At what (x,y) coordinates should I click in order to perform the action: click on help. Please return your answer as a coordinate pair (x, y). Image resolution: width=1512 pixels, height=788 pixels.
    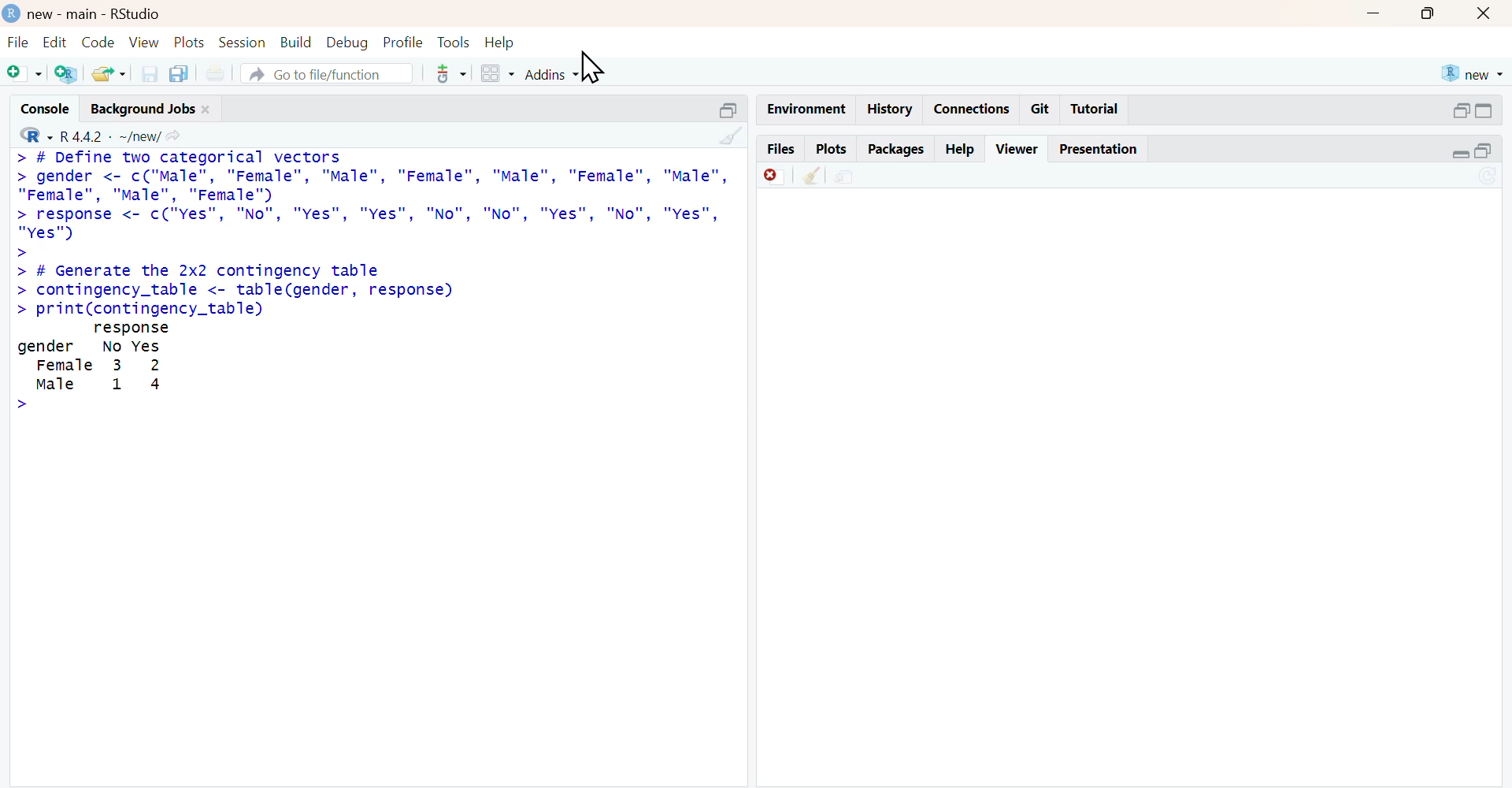
    Looking at the image, I should click on (961, 151).